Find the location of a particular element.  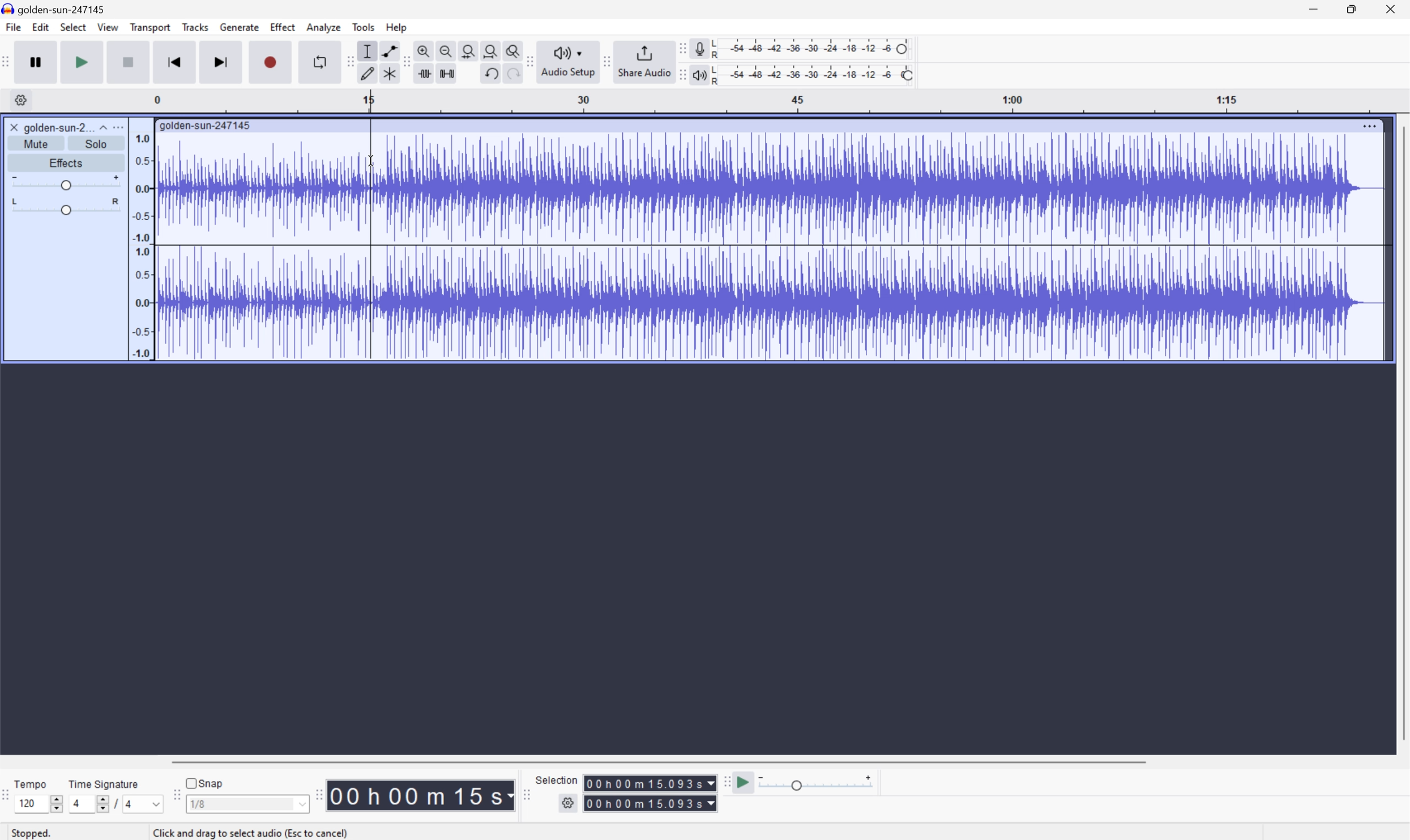

Multi tool is located at coordinates (391, 72).